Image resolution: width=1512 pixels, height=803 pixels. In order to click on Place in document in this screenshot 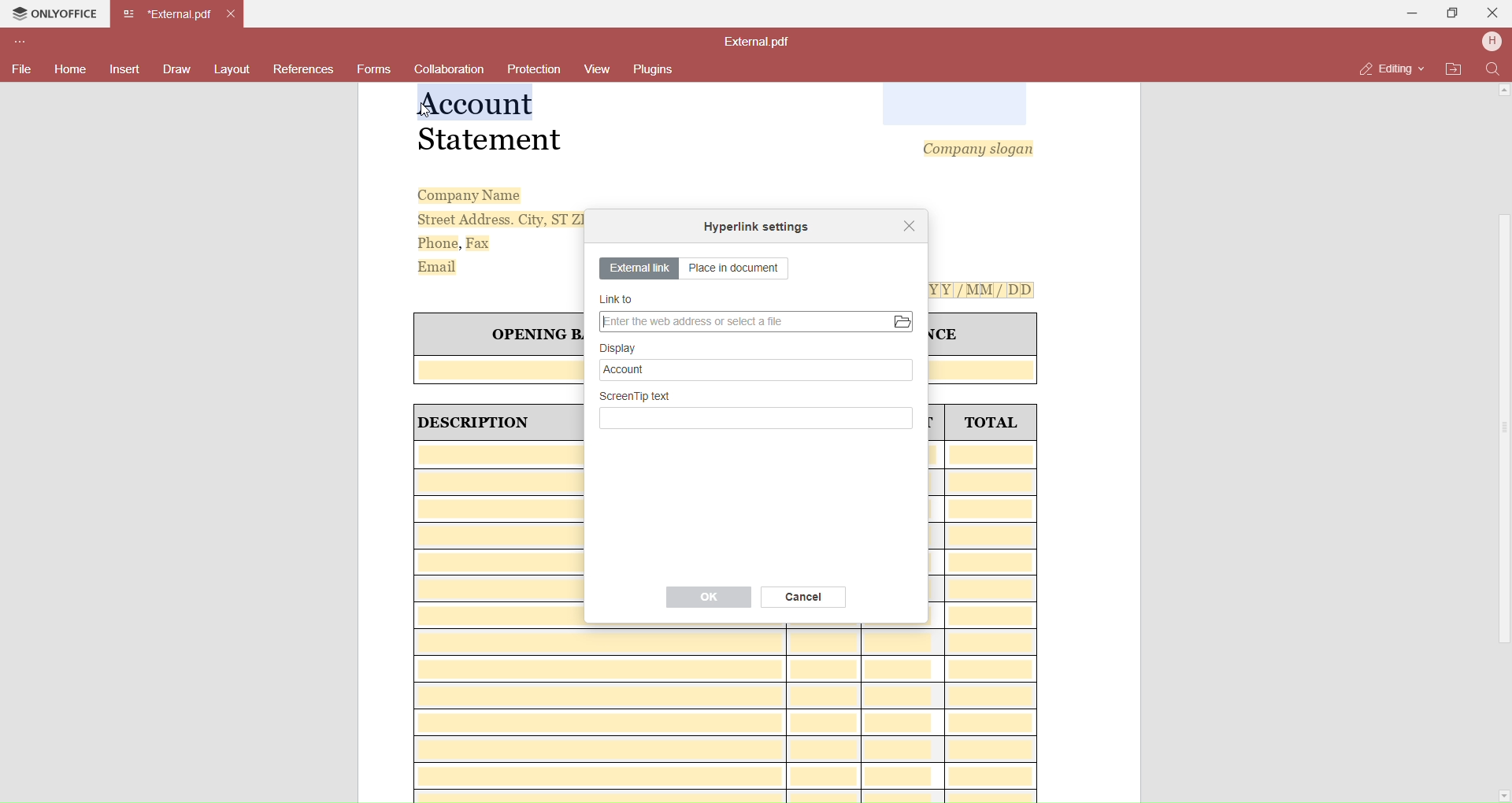, I will do `click(736, 268)`.